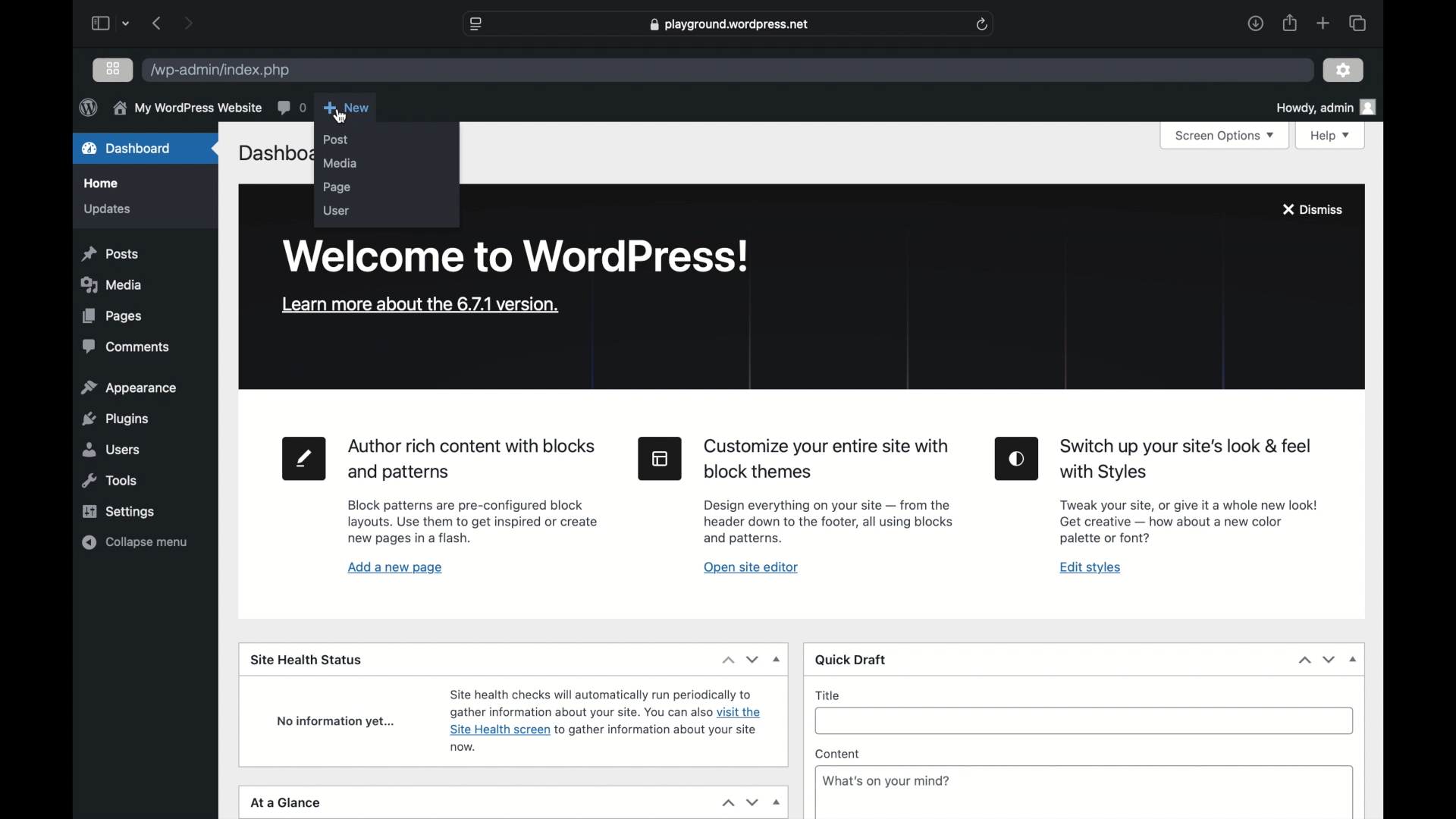 This screenshot has height=819, width=1456. I want to click on show tab overview, so click(1357, 23).